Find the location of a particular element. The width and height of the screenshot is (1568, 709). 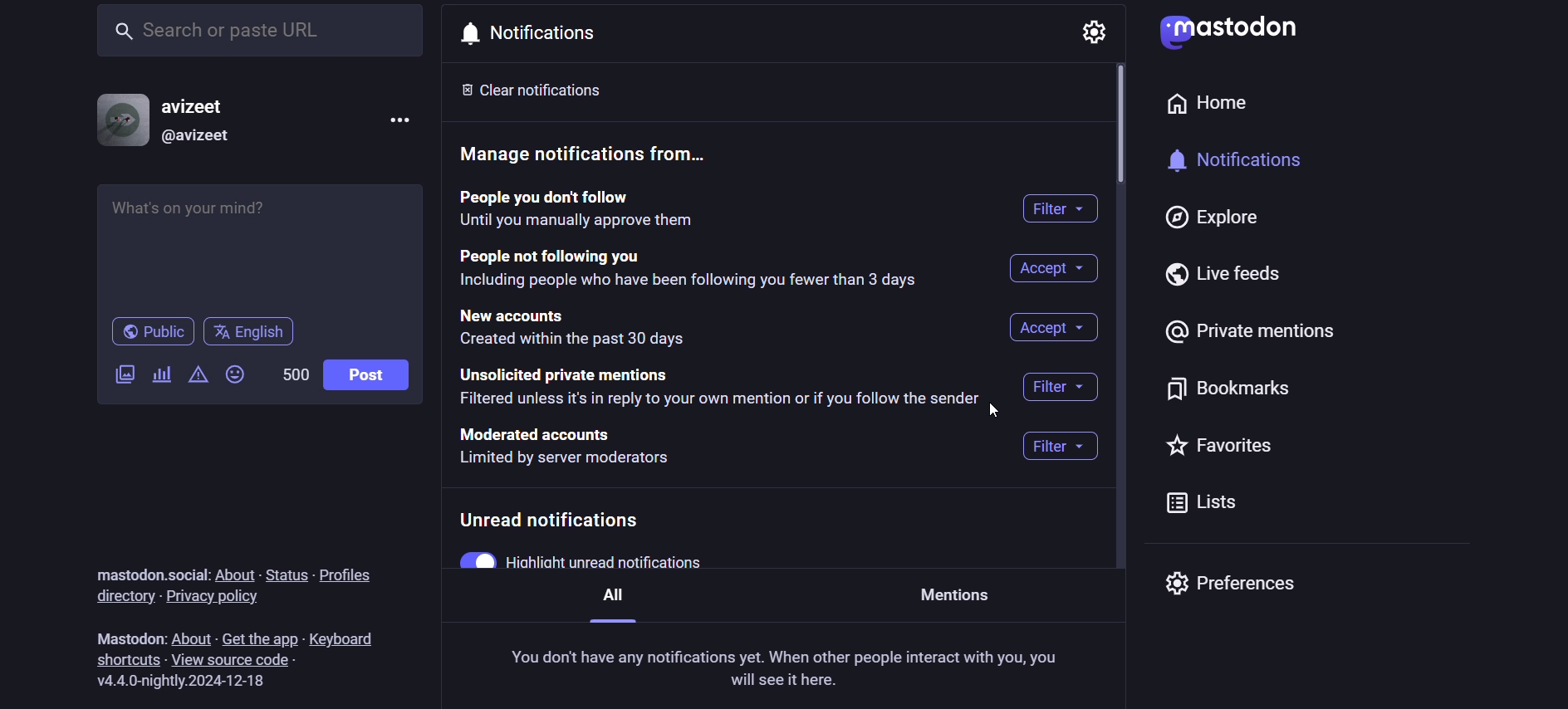

avizeet is located at coordinates (204, 105).